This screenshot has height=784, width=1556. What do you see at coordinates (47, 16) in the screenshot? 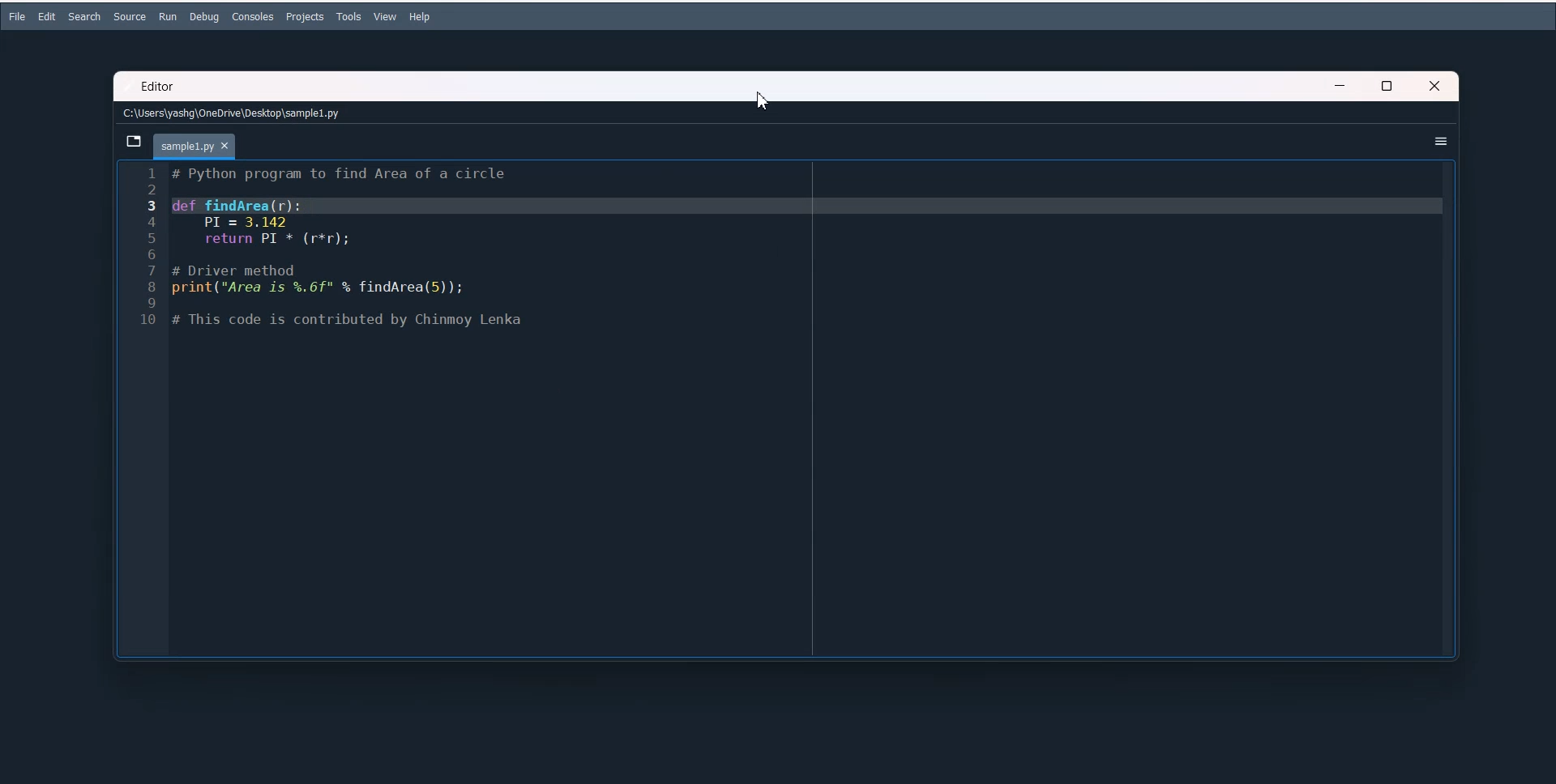
I see `Edit` at bounding box center [47, 16].